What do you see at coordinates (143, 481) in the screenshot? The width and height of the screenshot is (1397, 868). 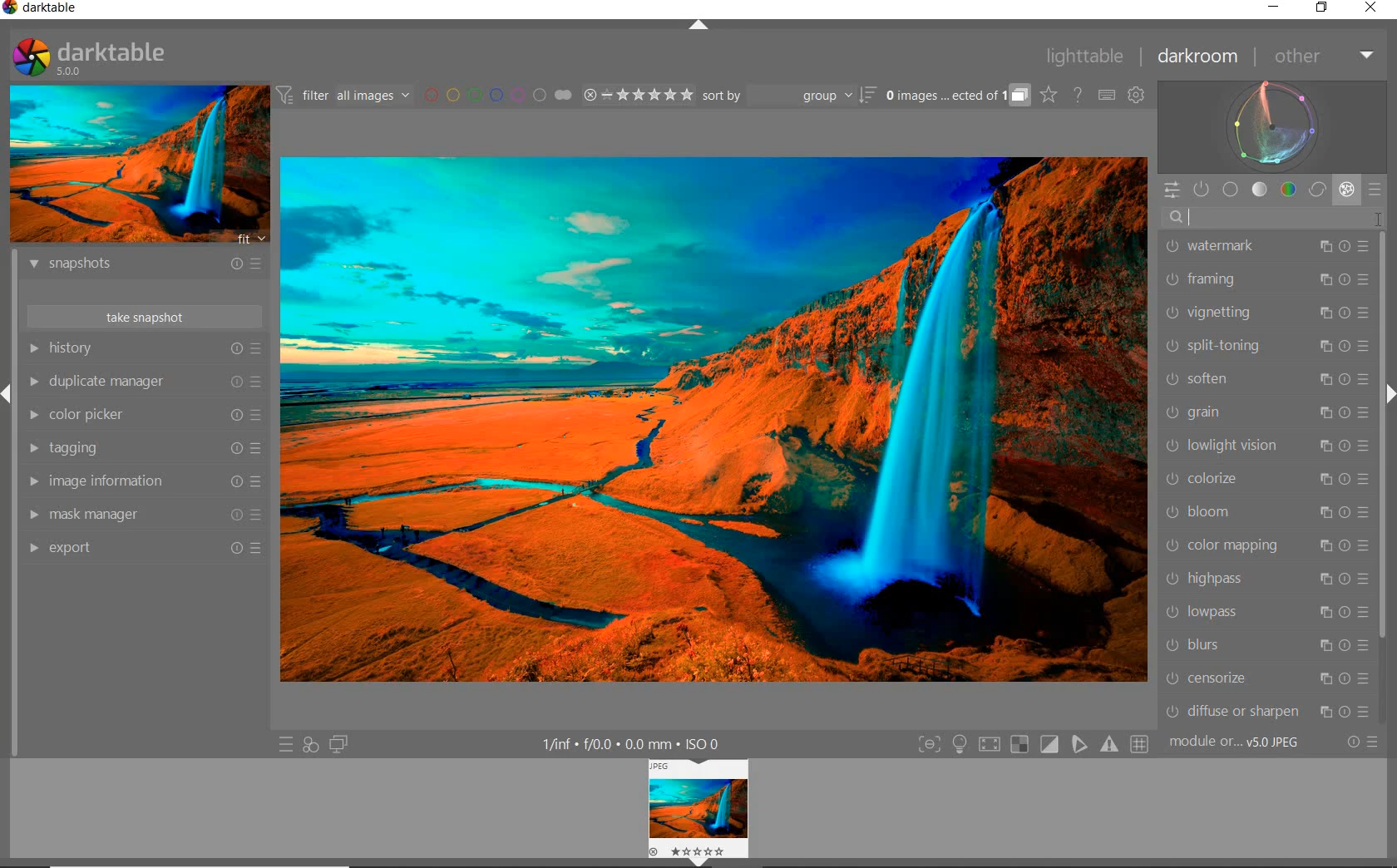 I see `image information` at bounding box center [143, 481].